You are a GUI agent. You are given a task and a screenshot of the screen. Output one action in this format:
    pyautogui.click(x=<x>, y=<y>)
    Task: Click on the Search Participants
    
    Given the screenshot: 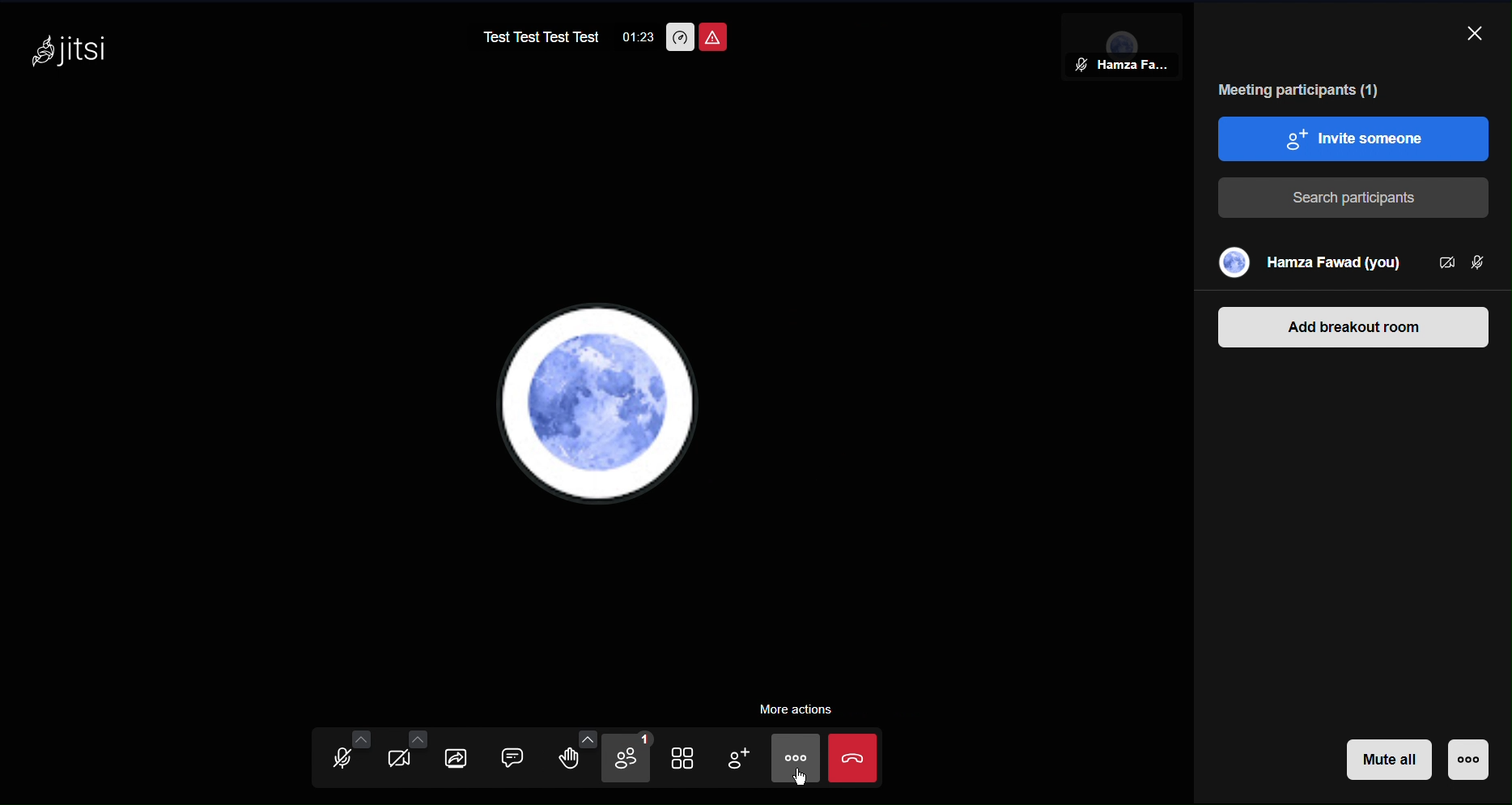 What is the action you would take?
    pyautogui.click(x=1357, y=193)
    